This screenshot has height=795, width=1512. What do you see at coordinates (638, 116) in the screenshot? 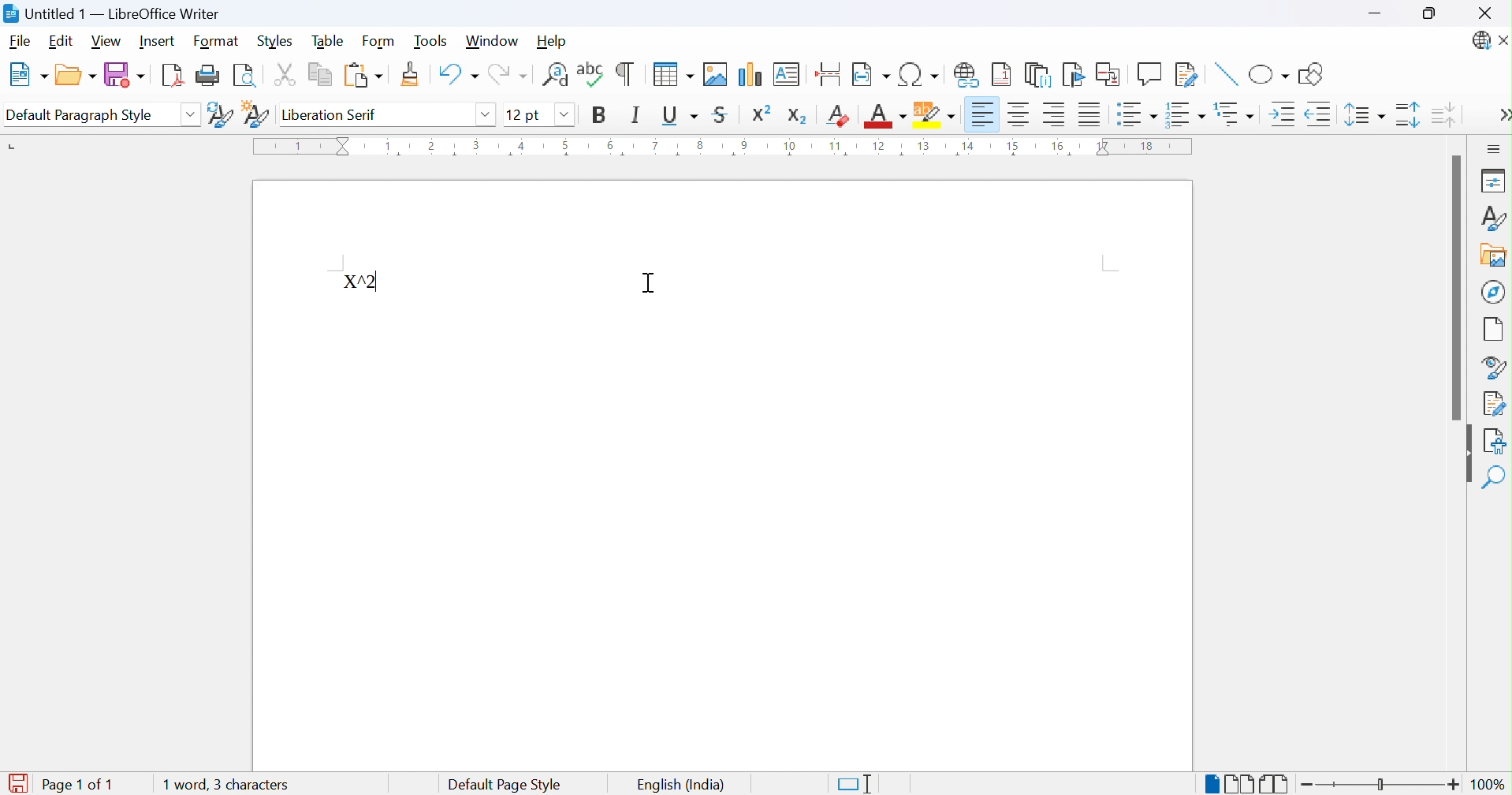
I see `Italic` at bounding box center [638, 116].